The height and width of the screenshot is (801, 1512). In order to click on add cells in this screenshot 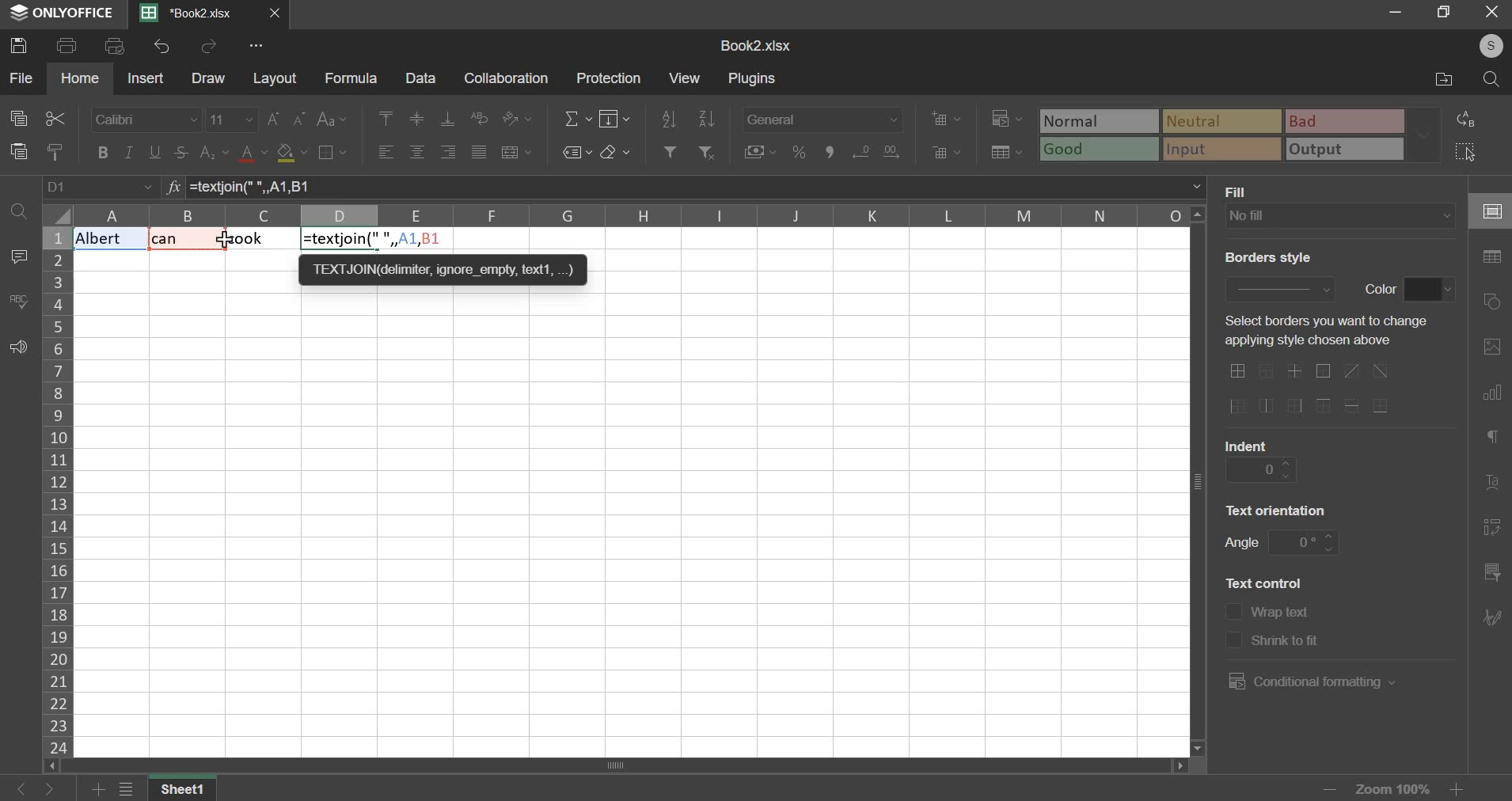, I will do `click(946, 118)`.